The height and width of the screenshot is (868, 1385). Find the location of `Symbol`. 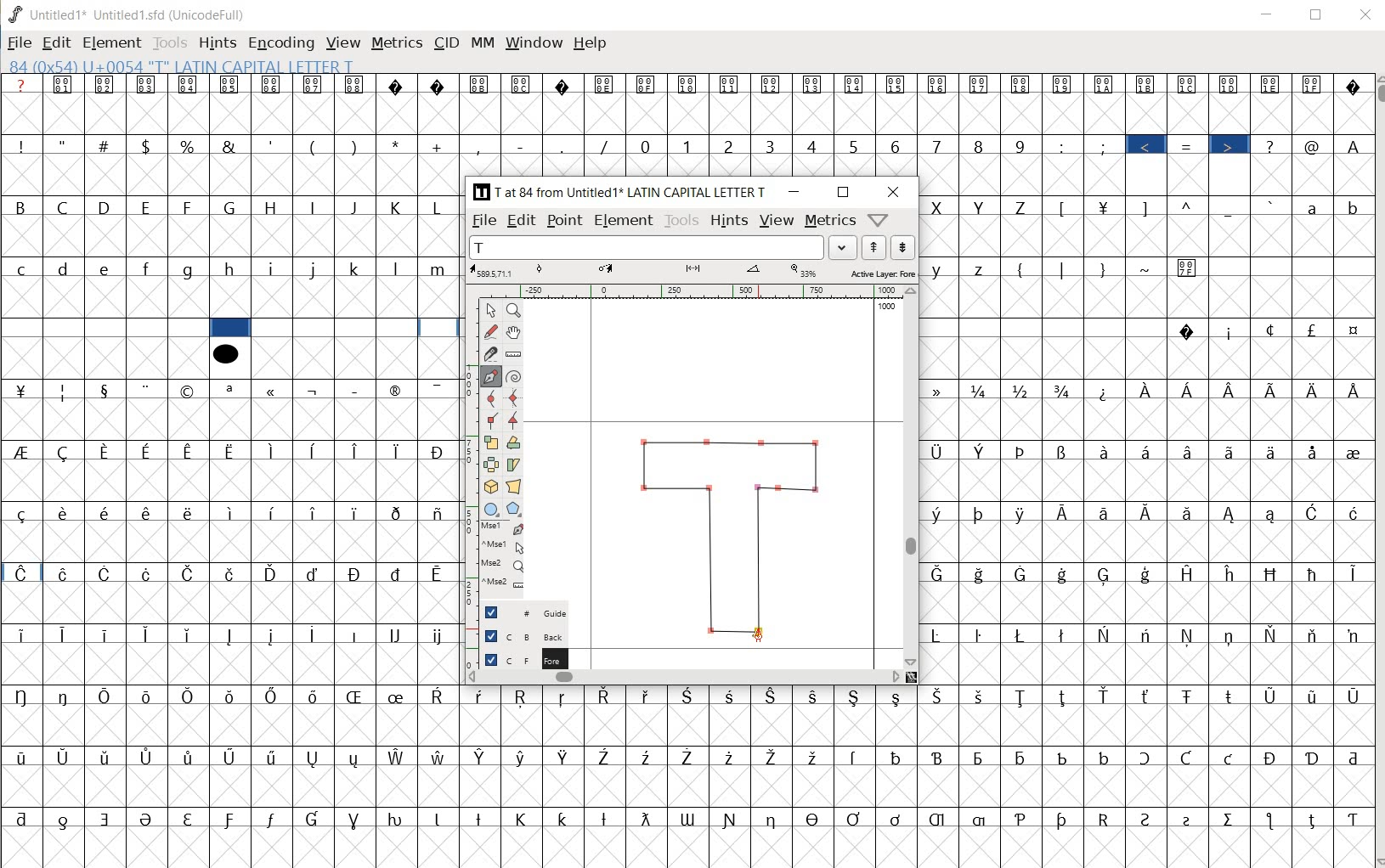

Symbol is located at coordinates (314, 819).